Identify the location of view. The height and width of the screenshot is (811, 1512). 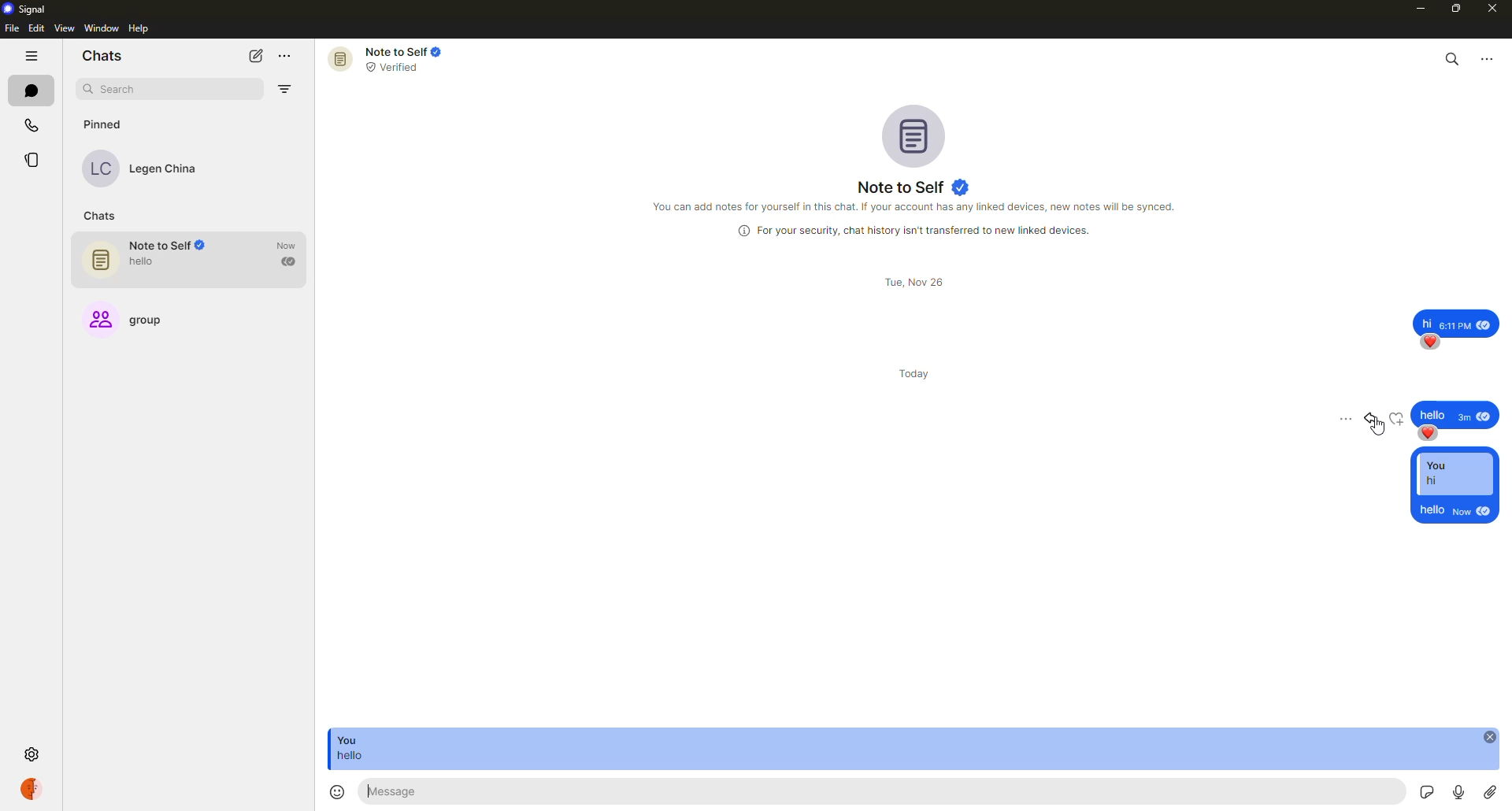
(62, 28).